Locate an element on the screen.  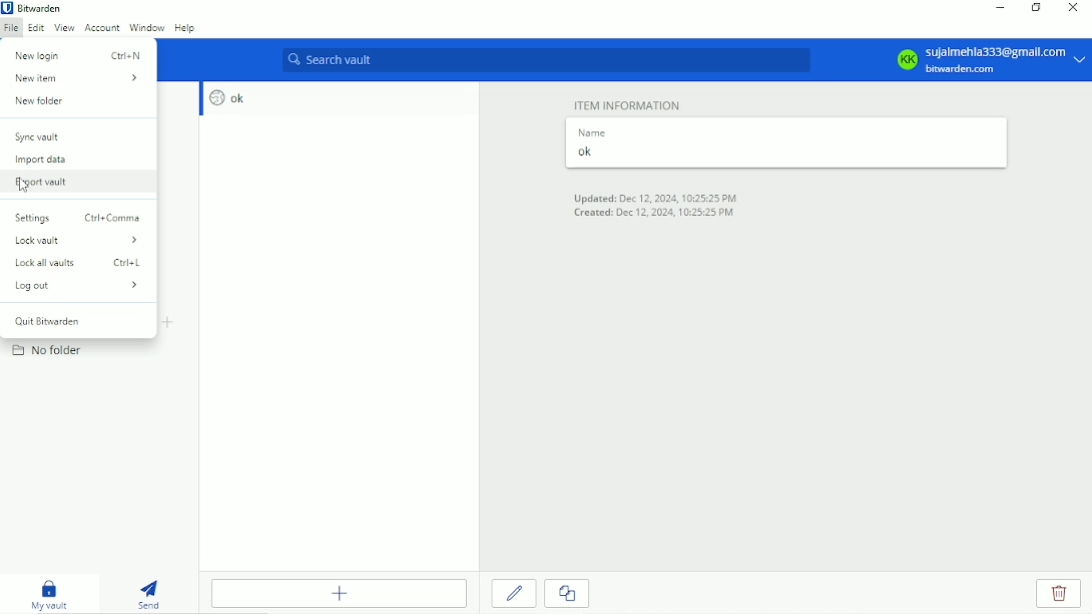
Cursor is located at coordinates (23, 187).